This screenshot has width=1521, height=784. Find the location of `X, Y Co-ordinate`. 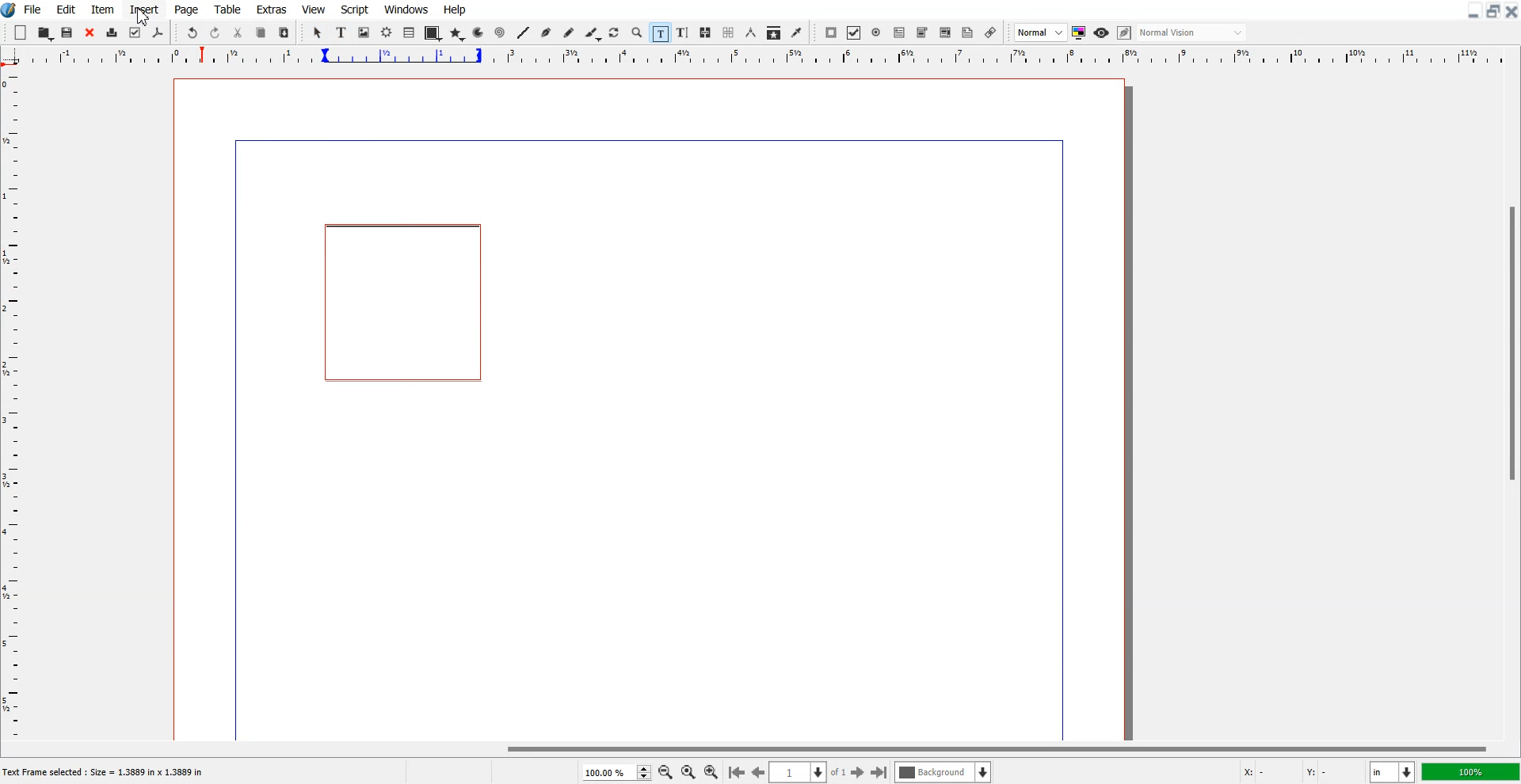

X, Y Co-ordinate is located at coordinates (1298, 773).